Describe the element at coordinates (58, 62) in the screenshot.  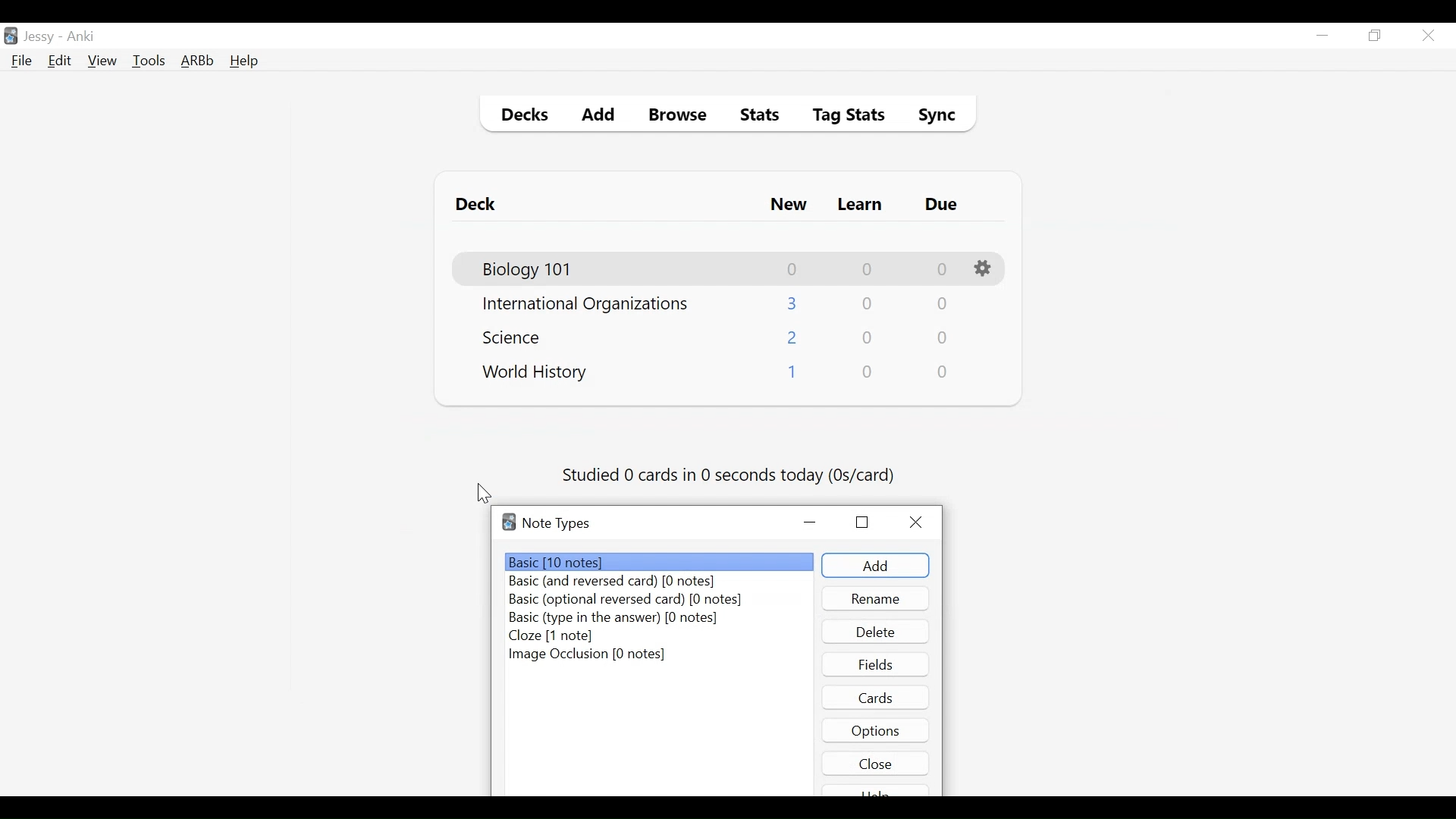
I see `Edit` at that location.